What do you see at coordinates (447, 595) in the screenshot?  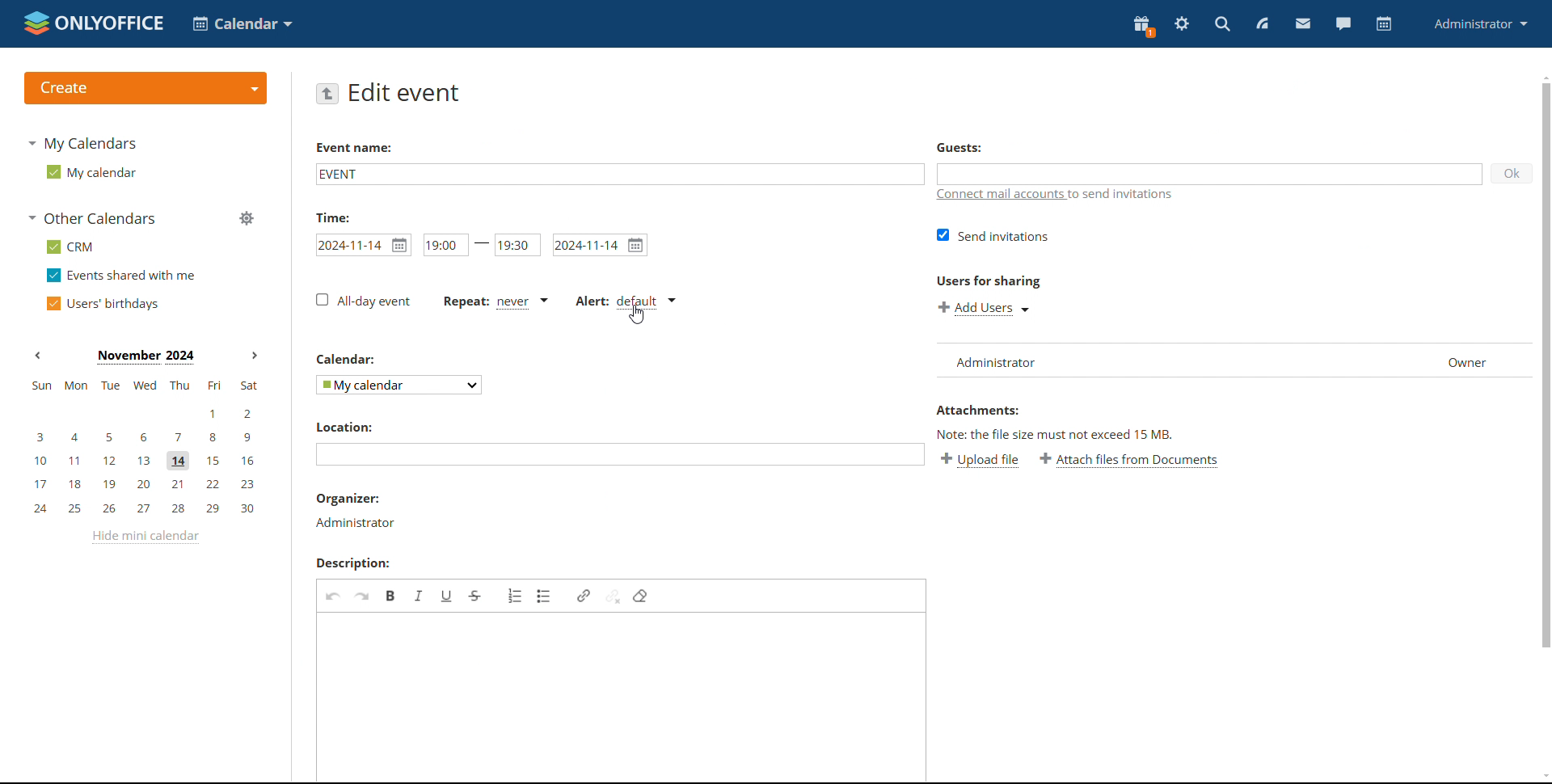 I see `underline` at bounding box center [447, 595].